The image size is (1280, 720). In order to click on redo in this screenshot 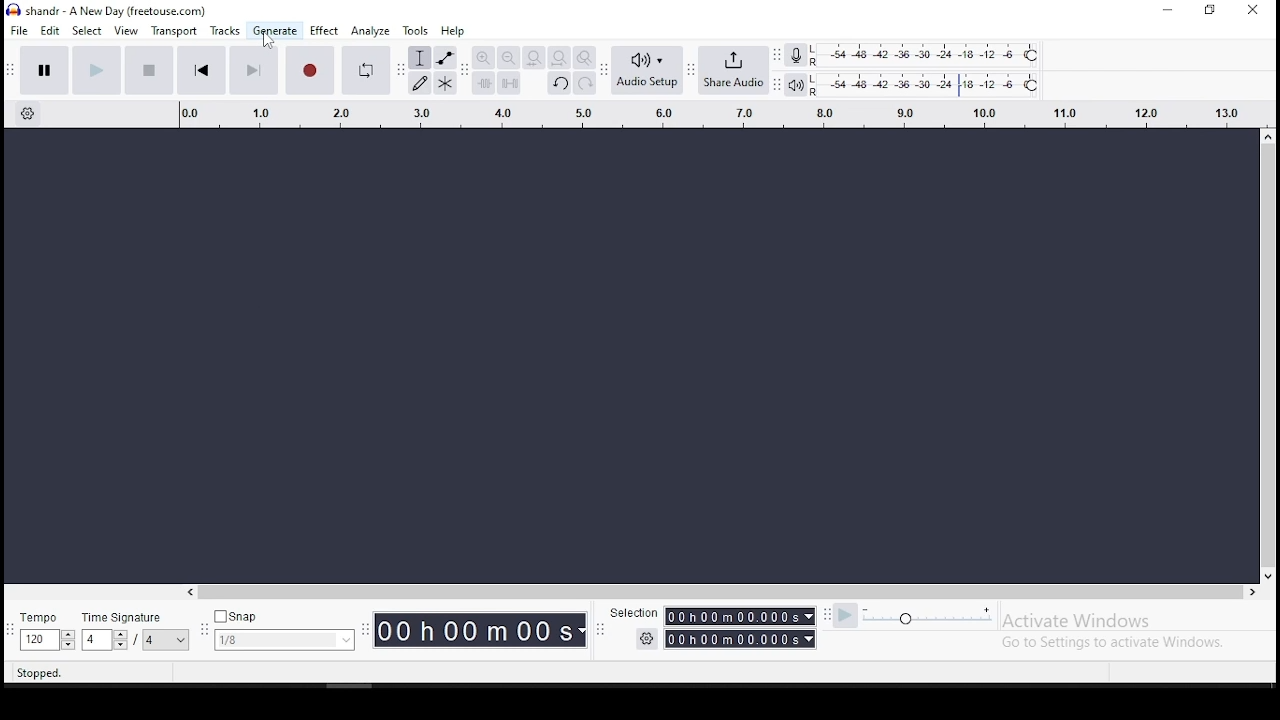, I will do `click(587, 83)`.